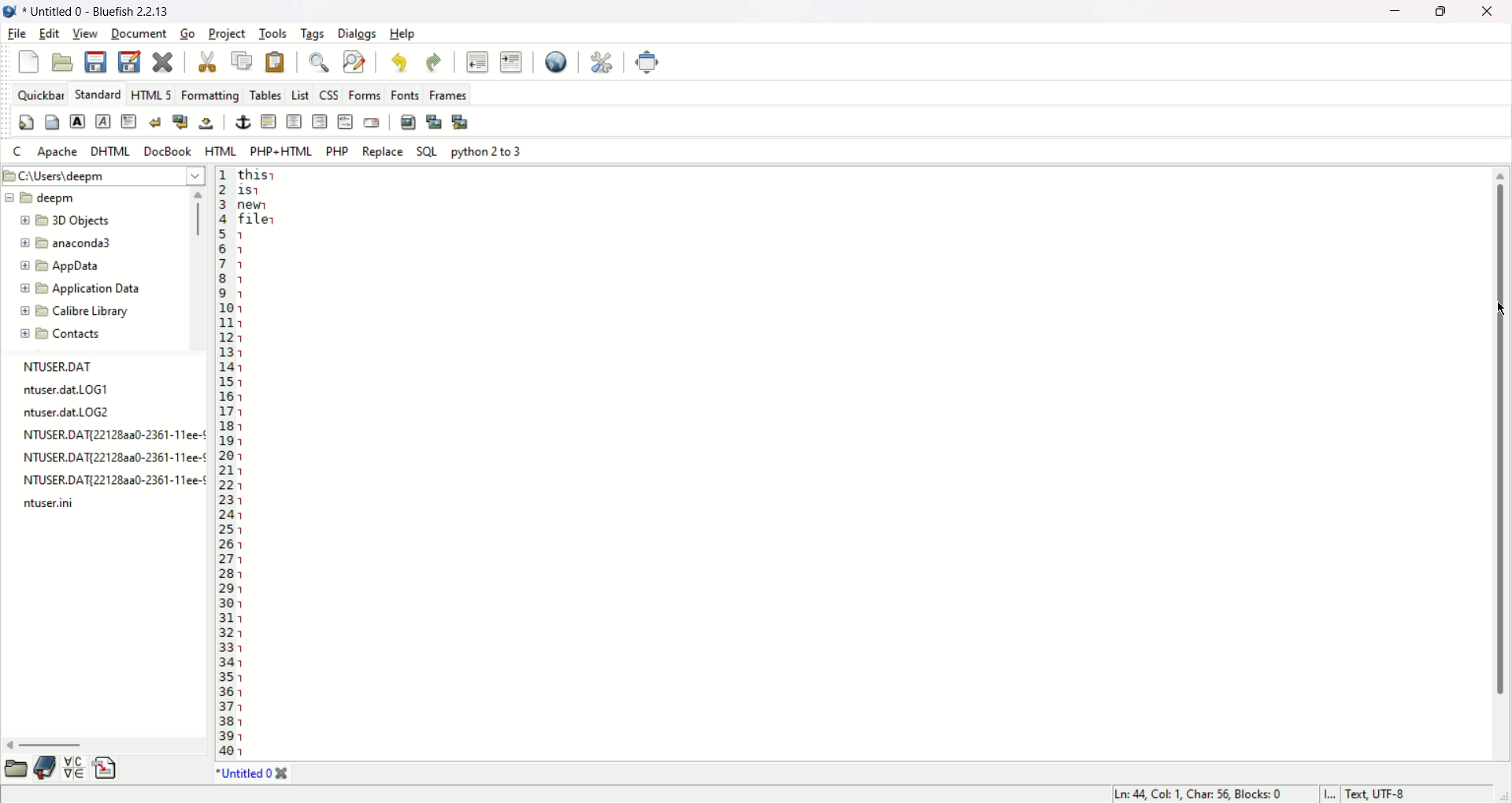 The height and width of the screenshot is (803, 1512). I want to click on forms, so click(361, 95).